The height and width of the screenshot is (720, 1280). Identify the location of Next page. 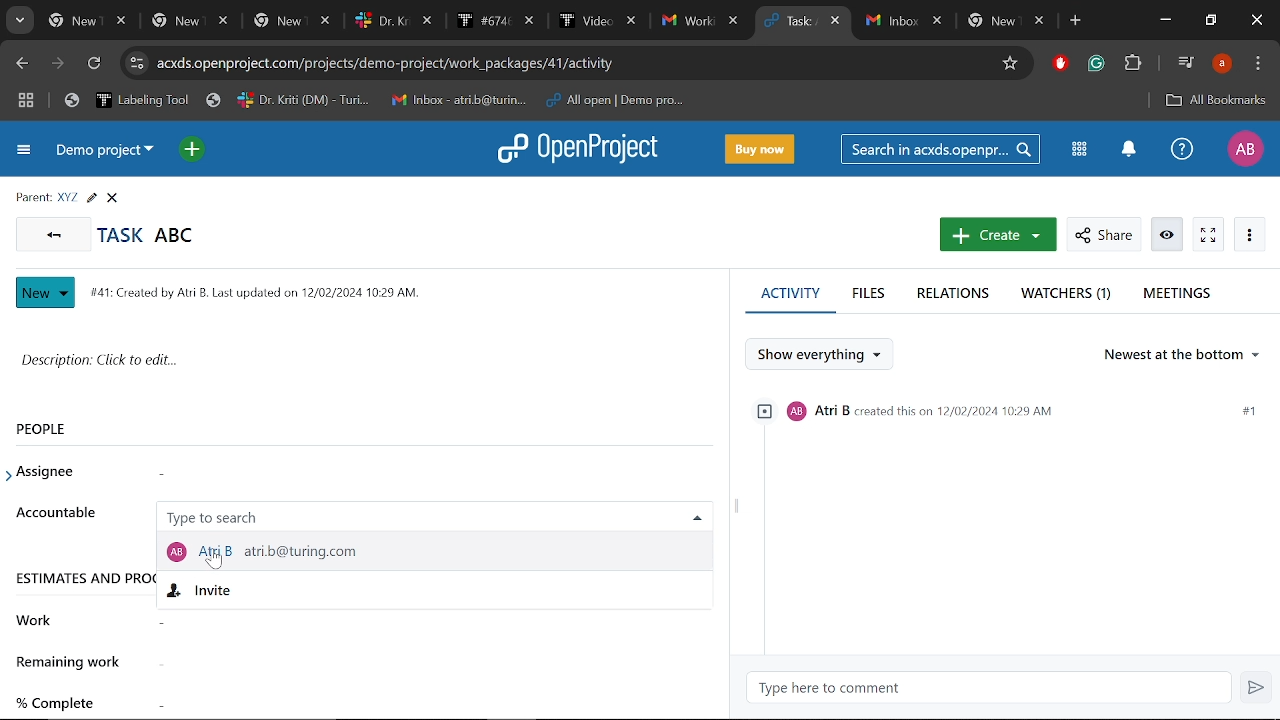
(58, 64).